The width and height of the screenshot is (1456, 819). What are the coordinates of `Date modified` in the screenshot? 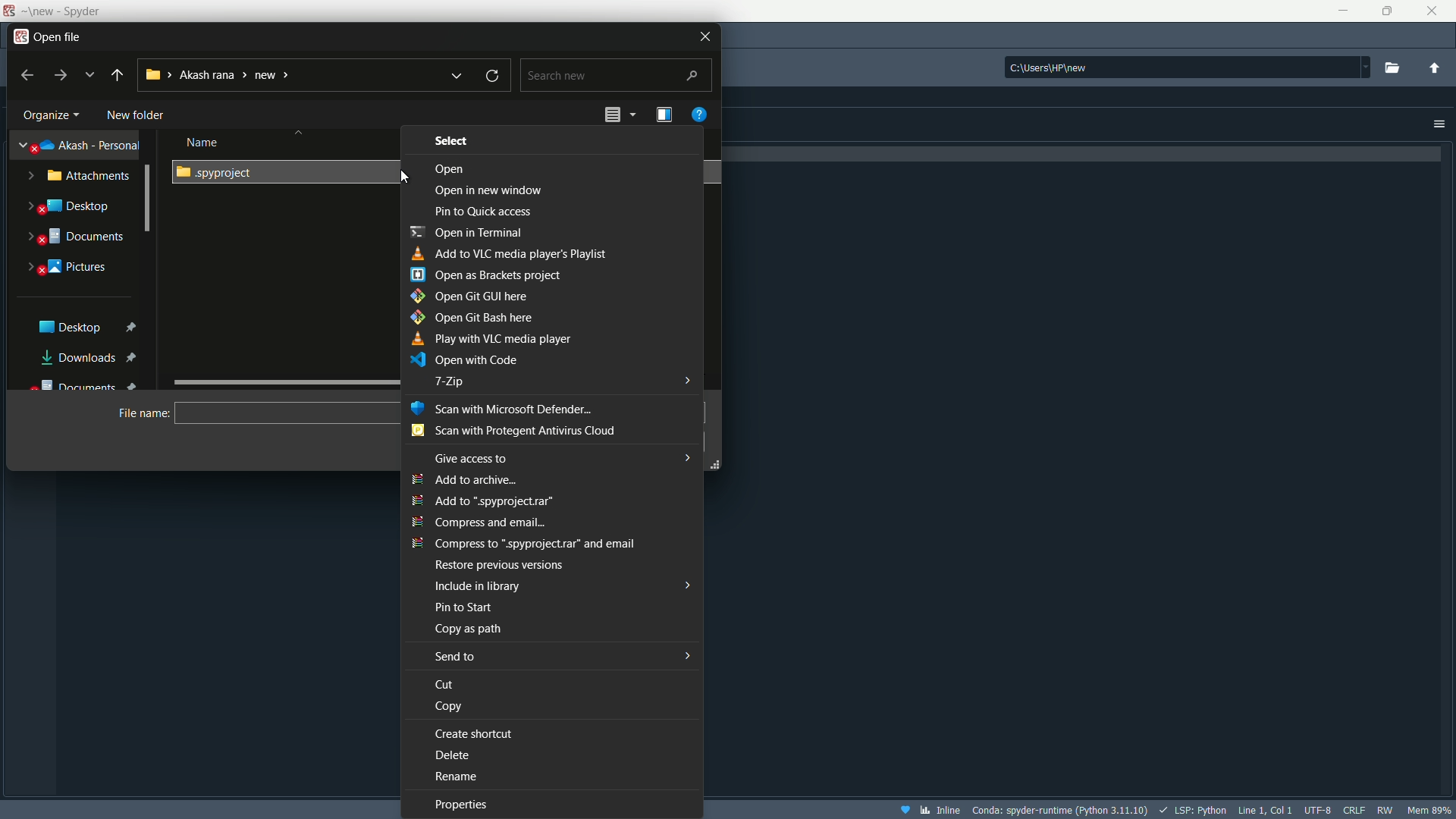 It's located at (466, 142).